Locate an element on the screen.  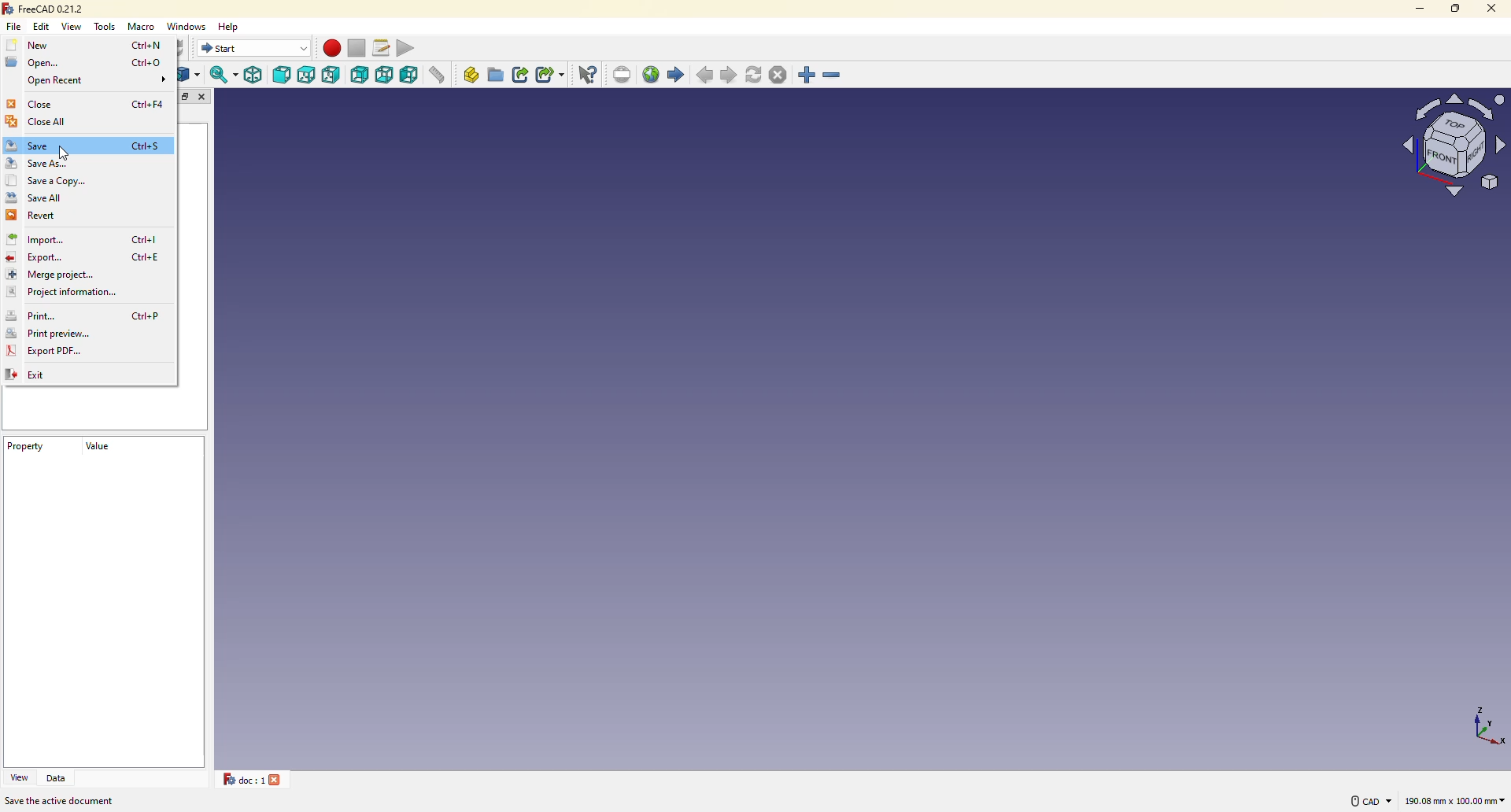
project information is located at coordinates (62, 293).